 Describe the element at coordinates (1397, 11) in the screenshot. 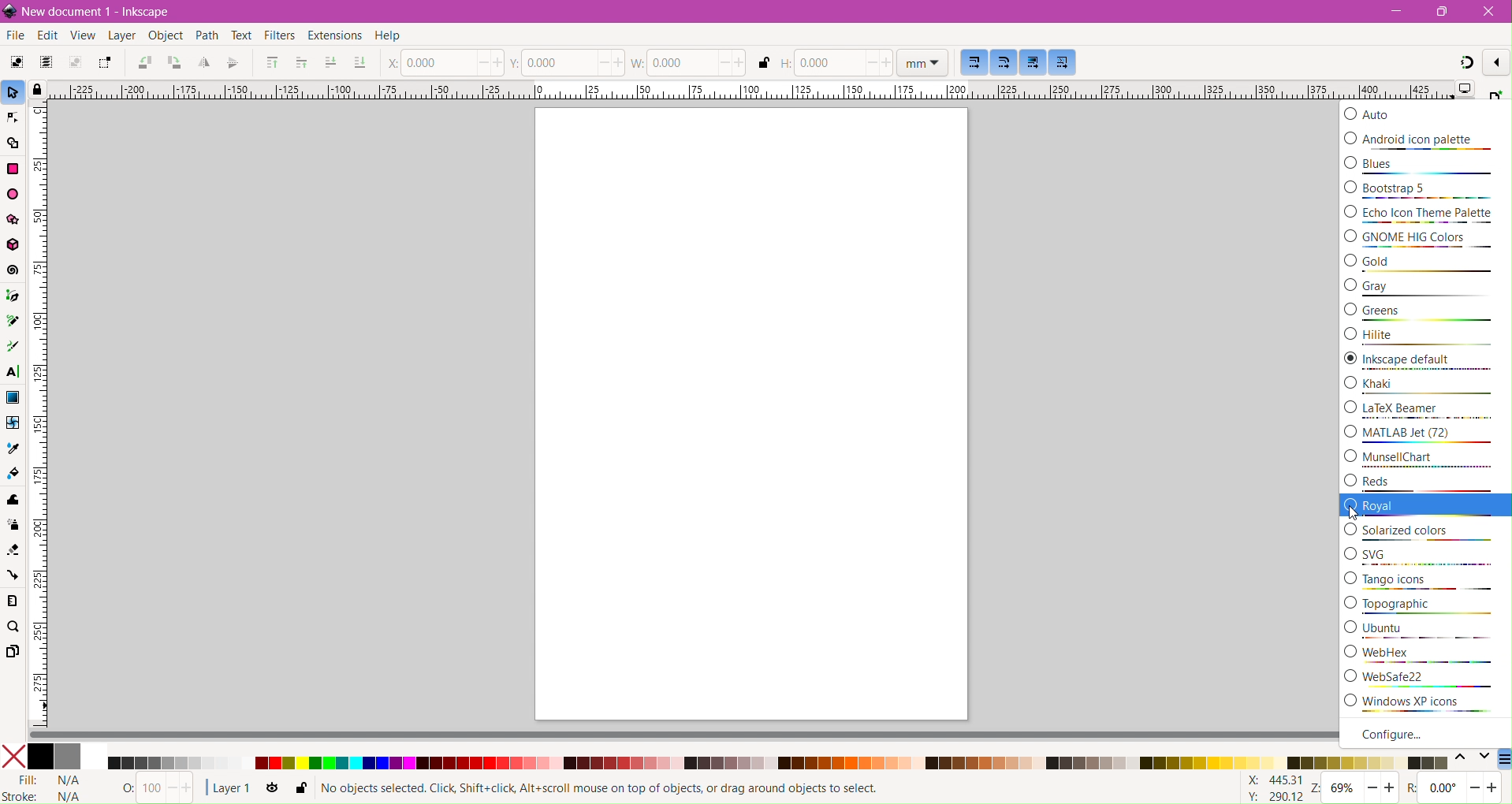

I see `Minimize` at that location.